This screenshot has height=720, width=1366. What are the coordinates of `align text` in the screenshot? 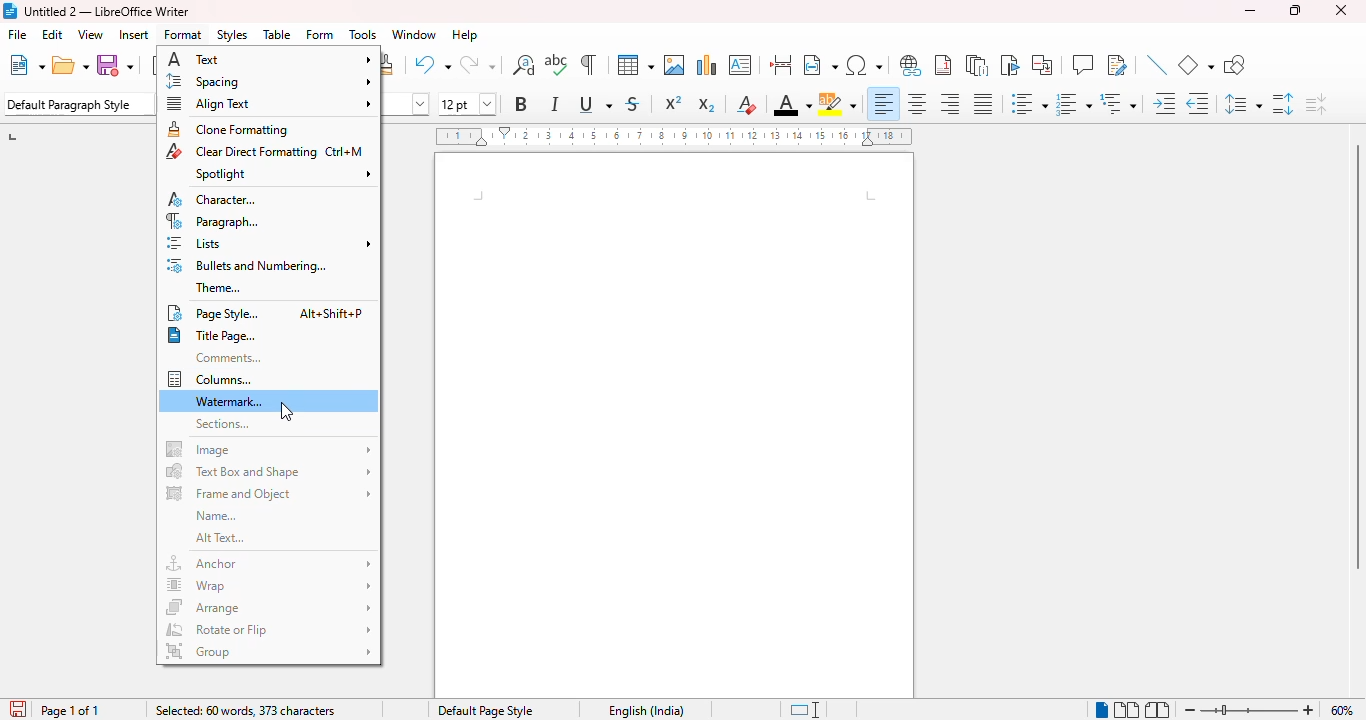 It's located at (269, 104).